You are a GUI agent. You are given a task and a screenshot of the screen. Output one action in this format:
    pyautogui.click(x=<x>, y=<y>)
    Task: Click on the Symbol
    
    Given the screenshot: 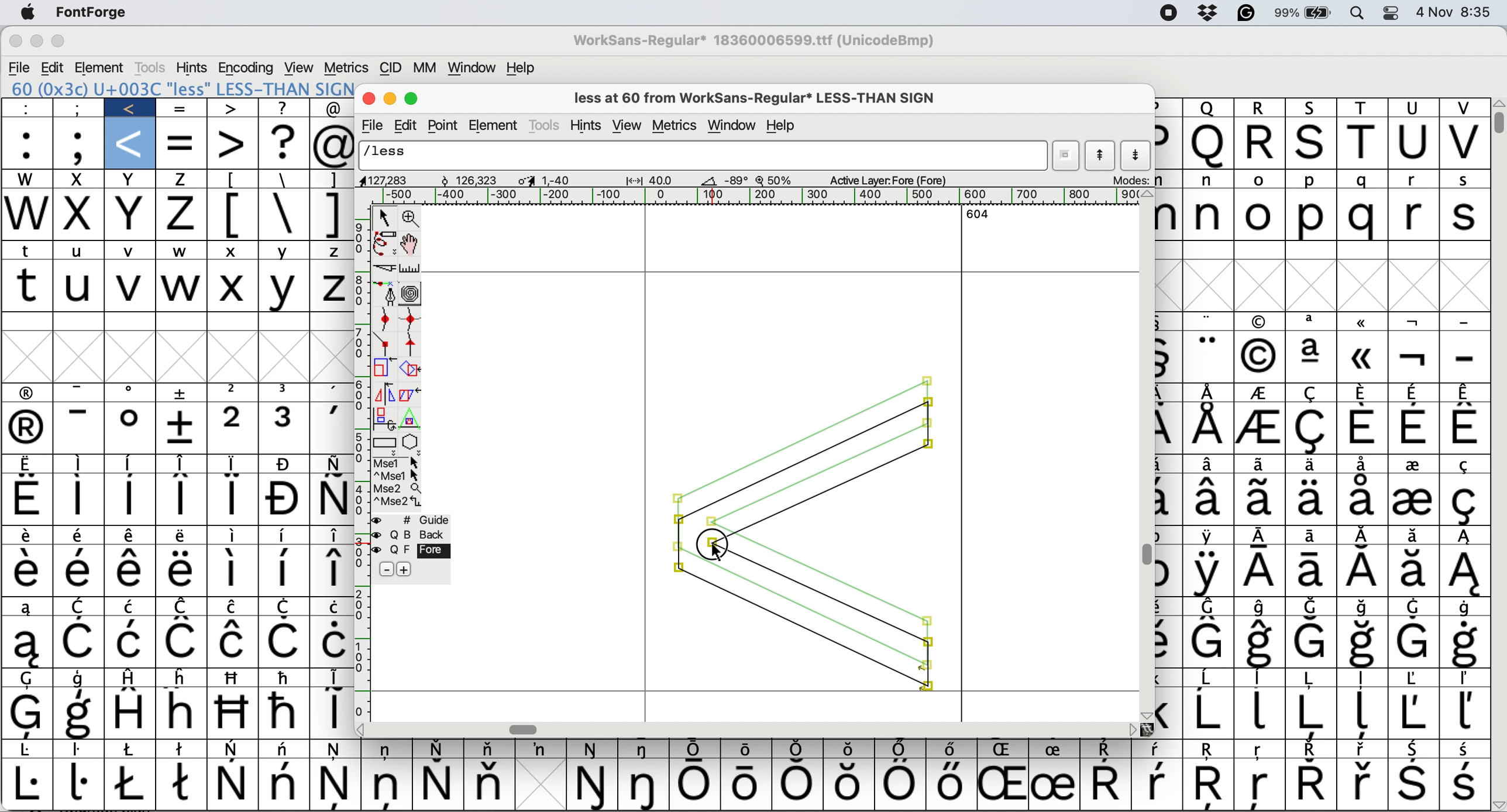 What is the action you would take?
    pyautogui.click(x=1363, y=393)
    